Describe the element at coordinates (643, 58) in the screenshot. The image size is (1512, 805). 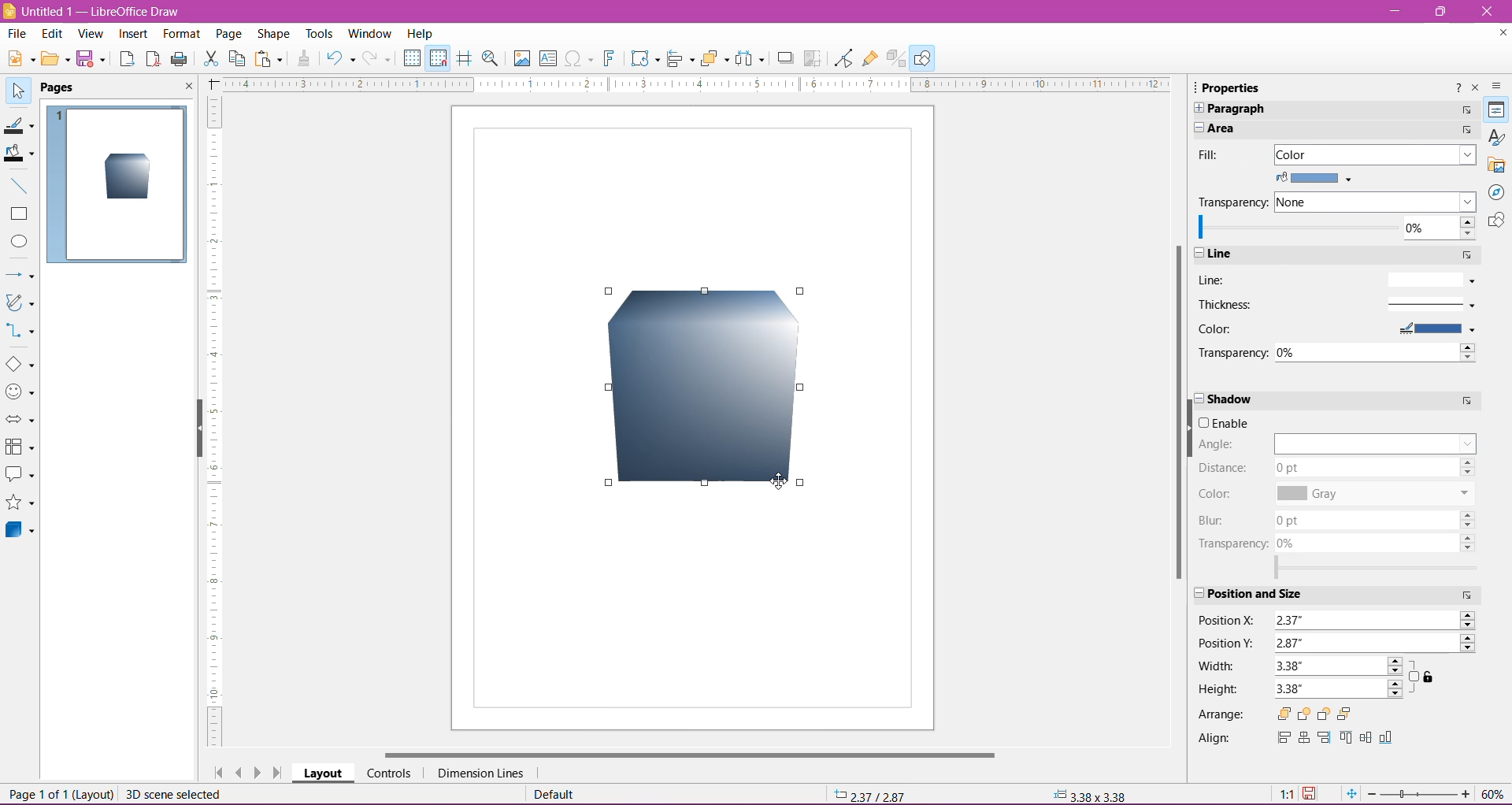
I see `Transformations` at that location.